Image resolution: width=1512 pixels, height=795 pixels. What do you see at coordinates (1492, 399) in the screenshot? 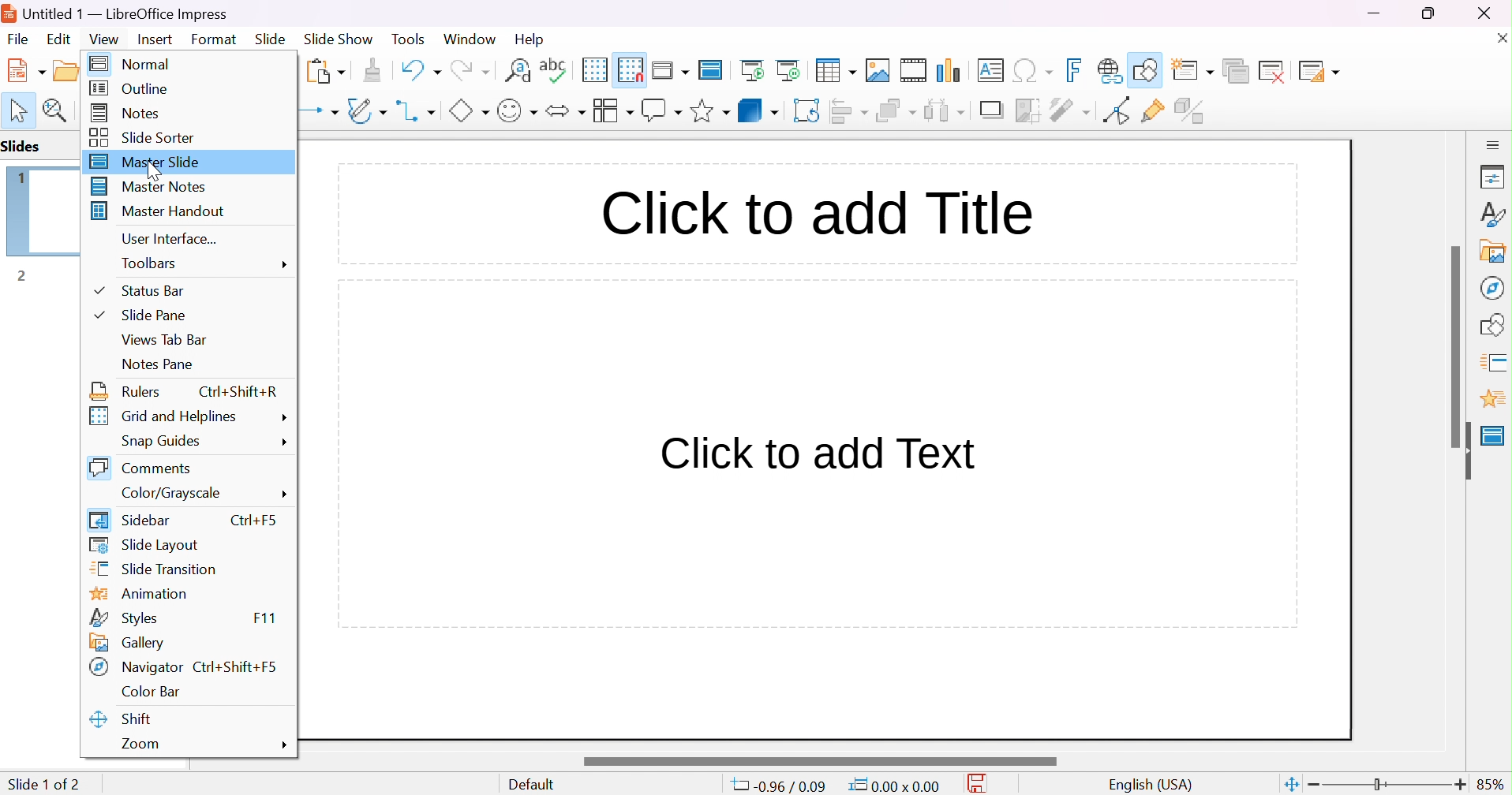
I see `animation` at bounding box center [1492, 399].